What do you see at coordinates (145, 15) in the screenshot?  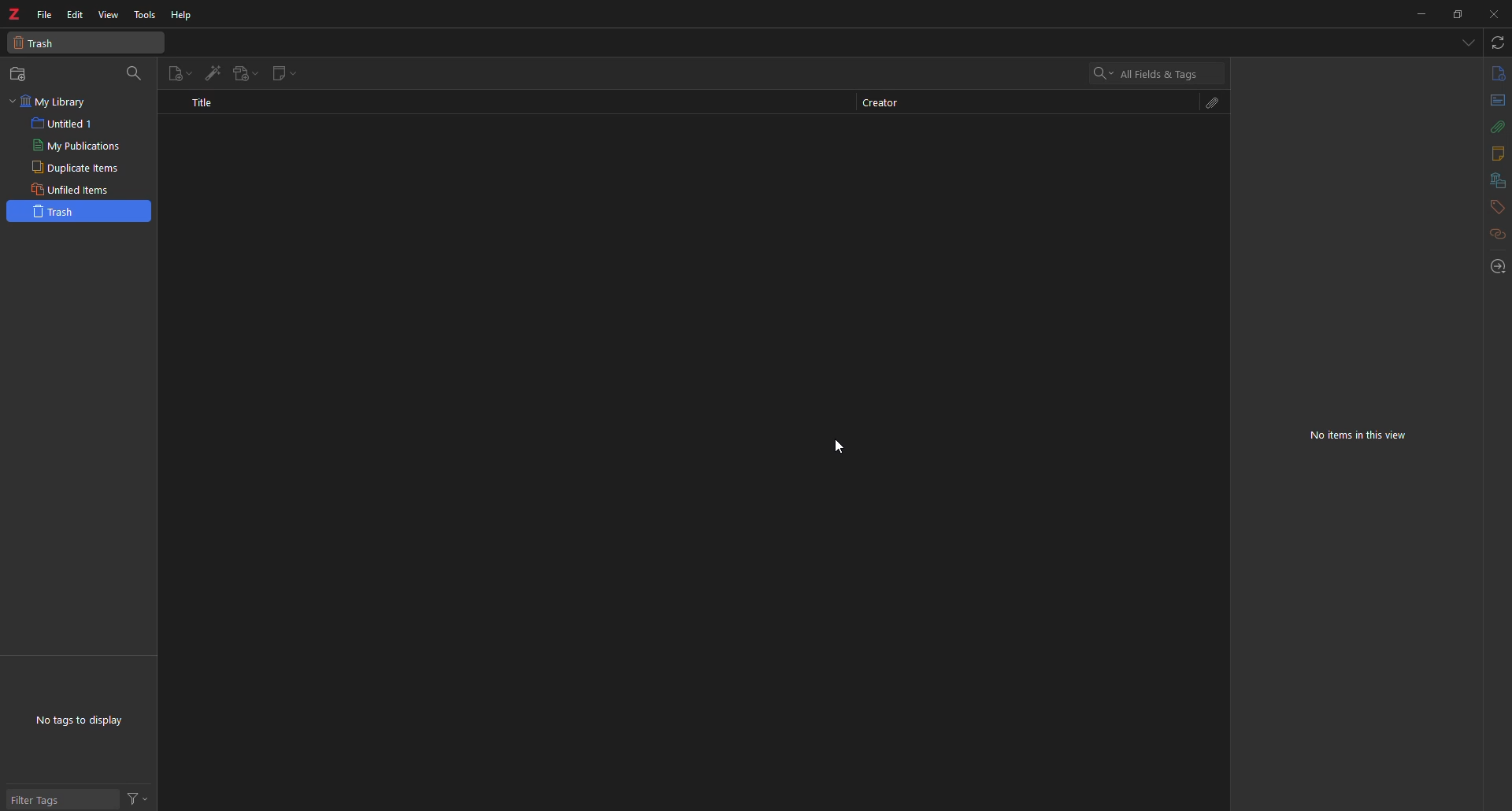 I see `tools` at bounding box center [145, 15].